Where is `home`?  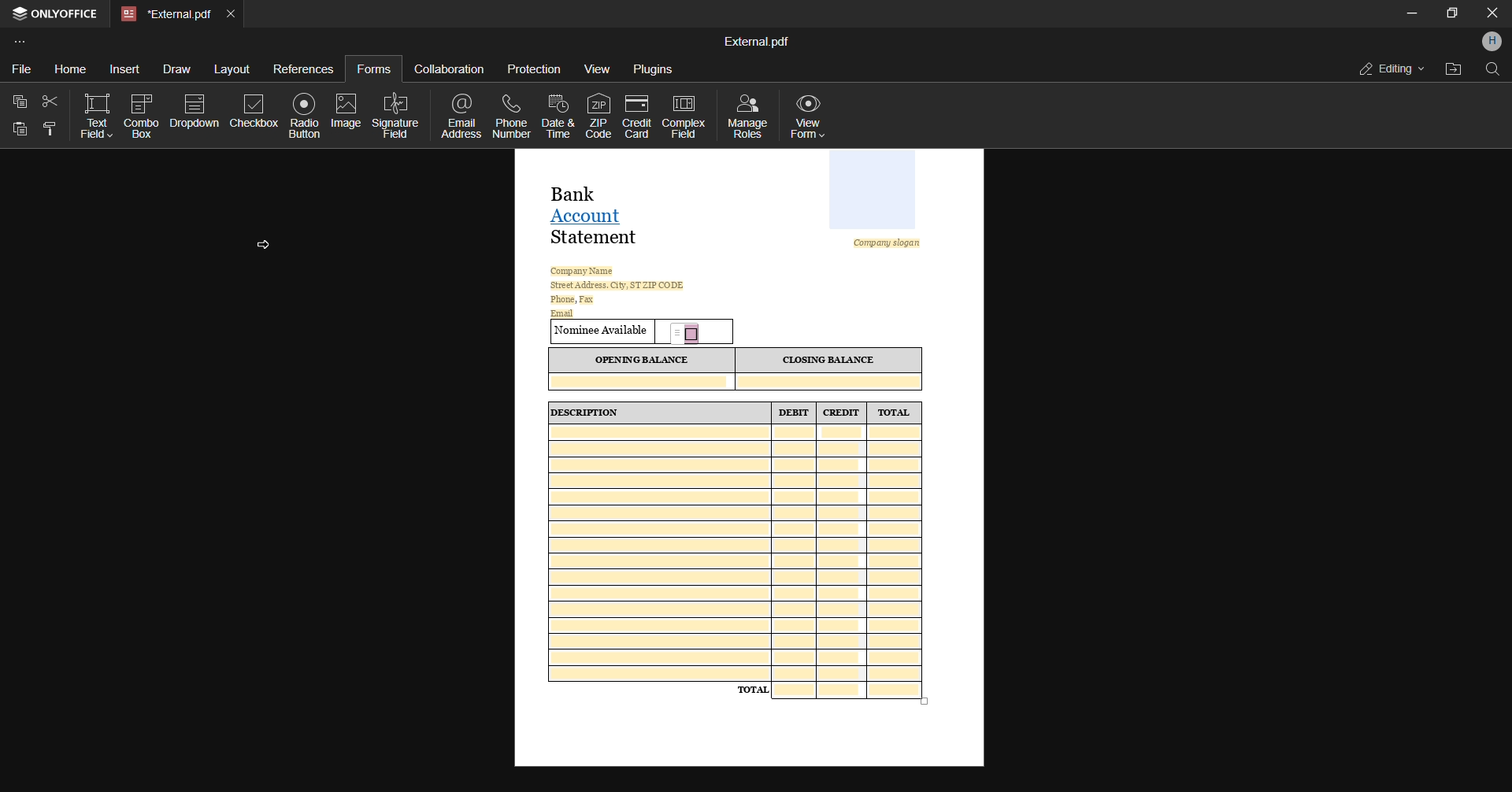 home is located at coordinates (65, 66).